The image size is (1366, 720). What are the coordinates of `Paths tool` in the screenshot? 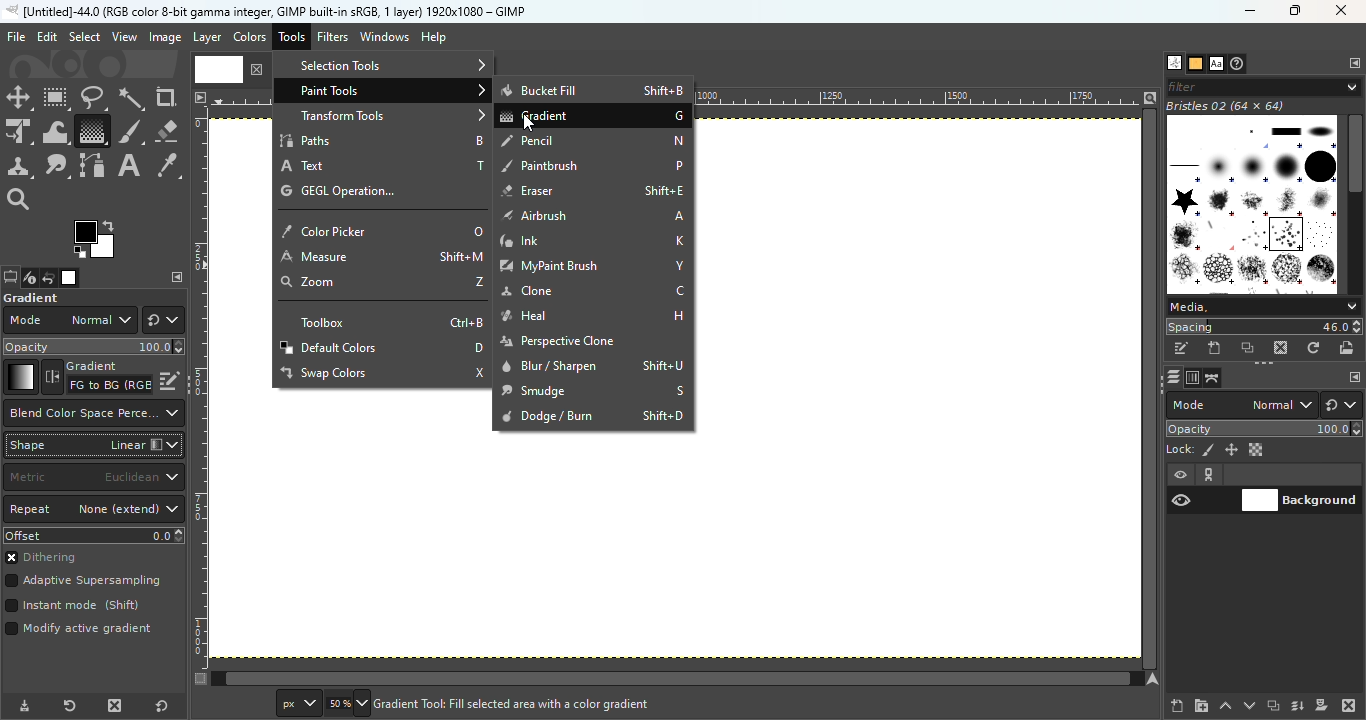 It's located at (93, 166).